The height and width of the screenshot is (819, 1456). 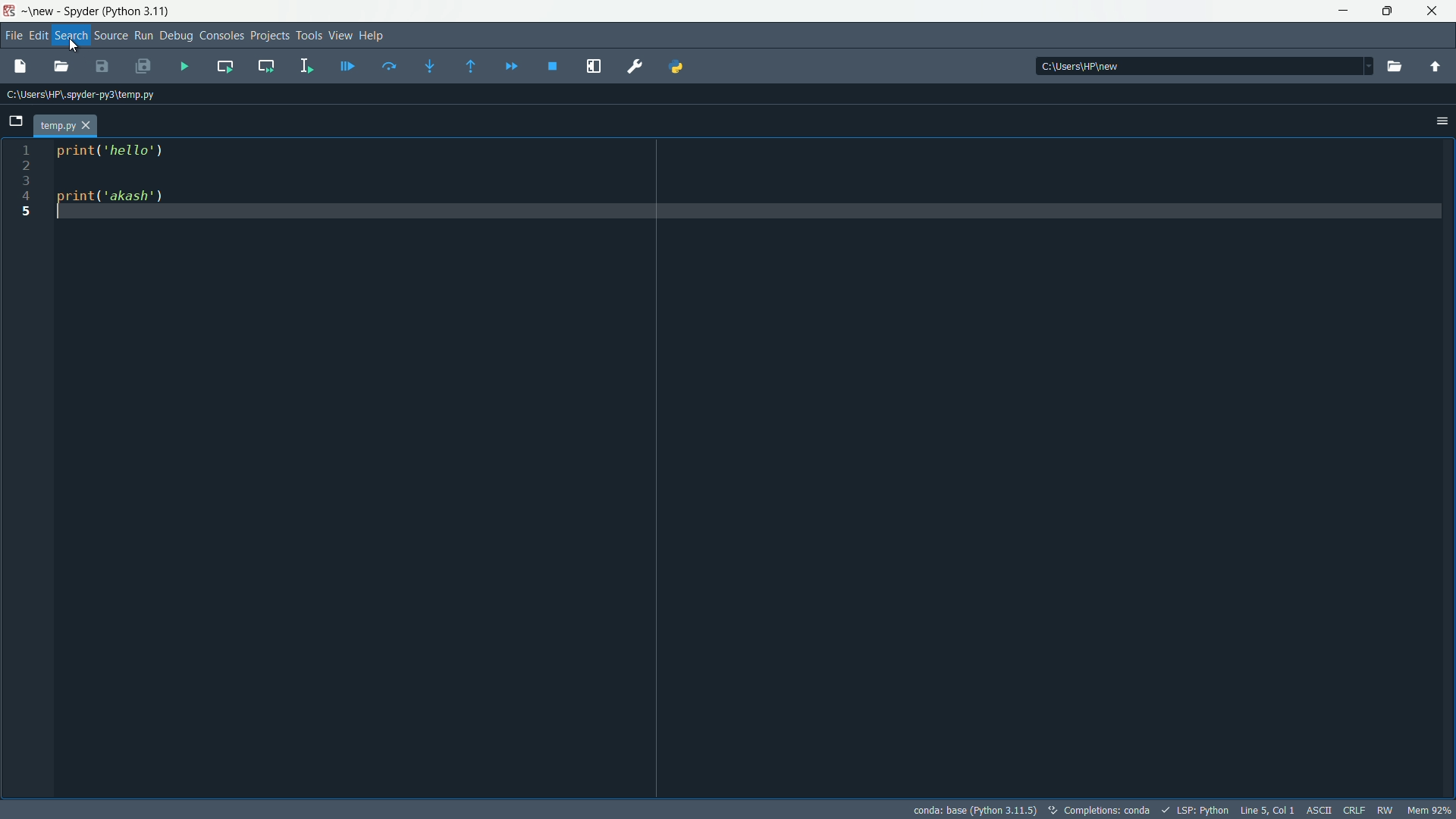 I want to click on ASCII, so click(x=1316, y=809).